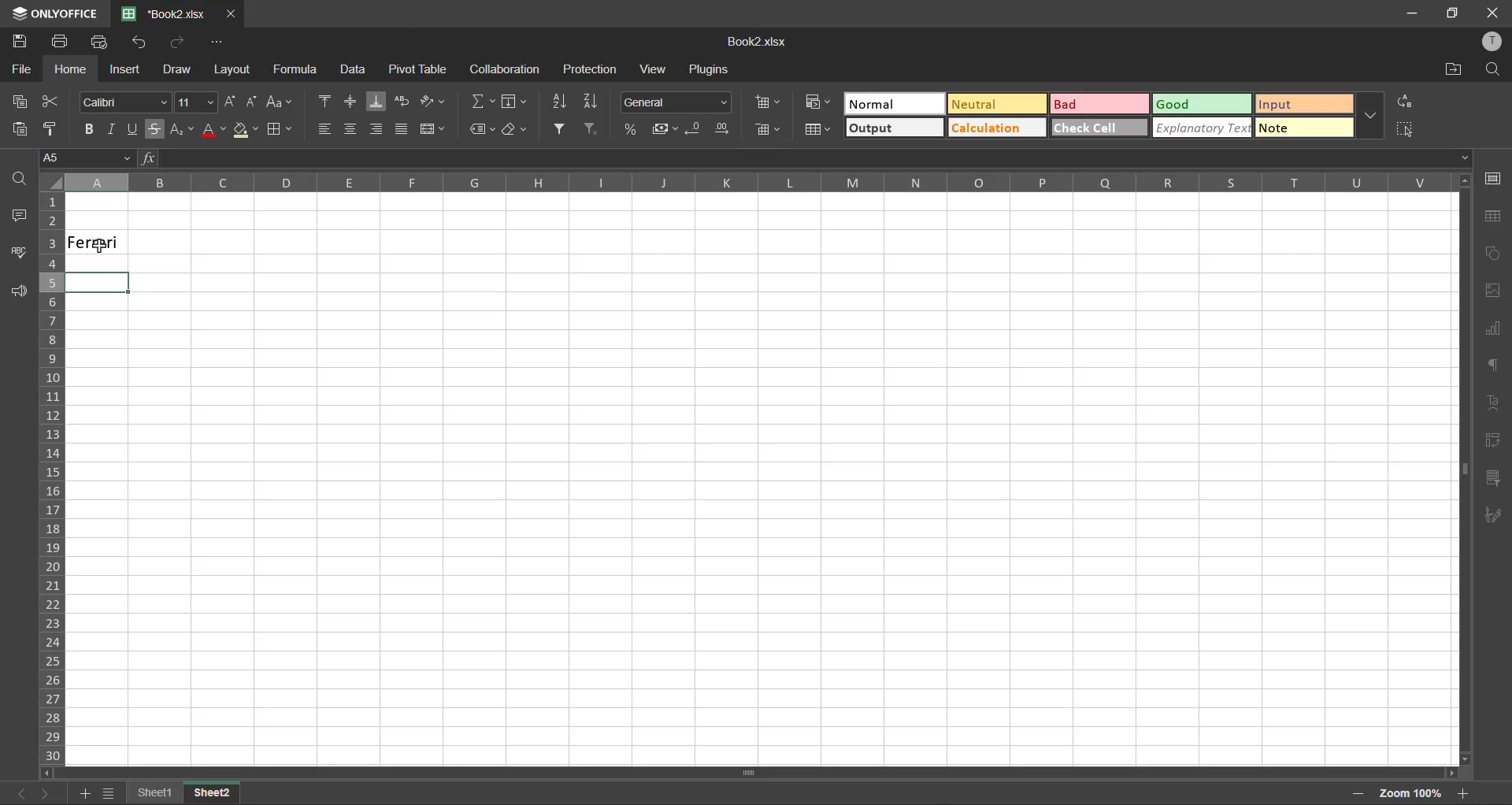  I want to click on underline, so click(135, 131).